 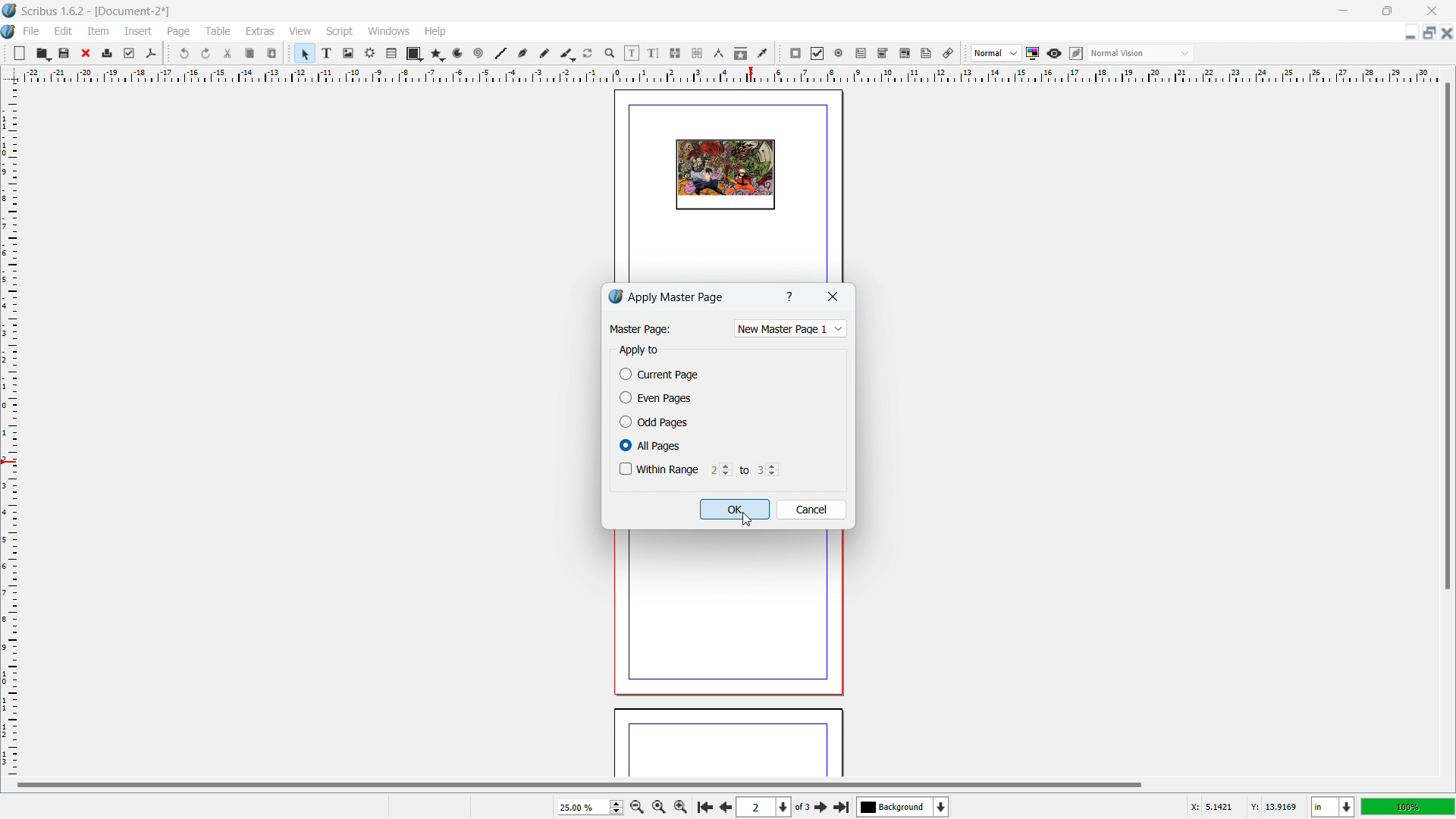 What do you see at coordinates (657, 469) in the screenshot?
I see `within range checkbox` at bounding box center [657, 469].